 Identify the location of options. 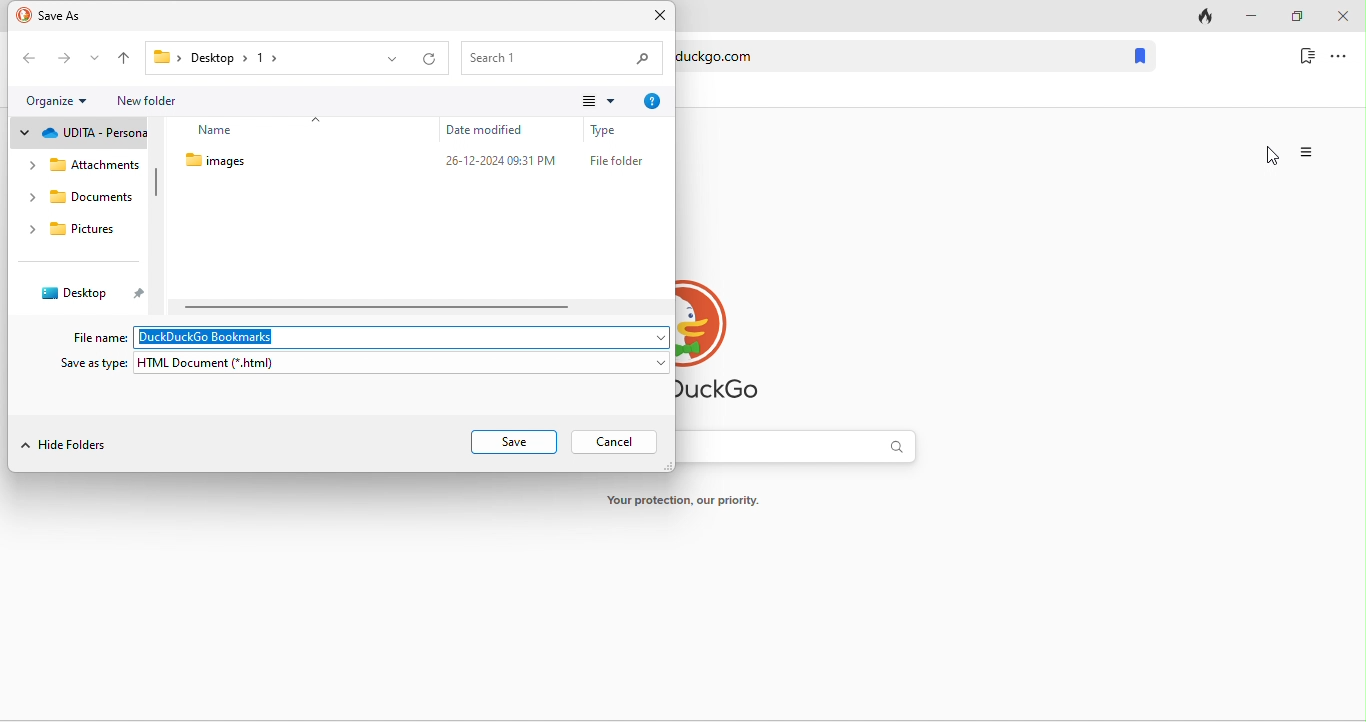
(1345, 57).